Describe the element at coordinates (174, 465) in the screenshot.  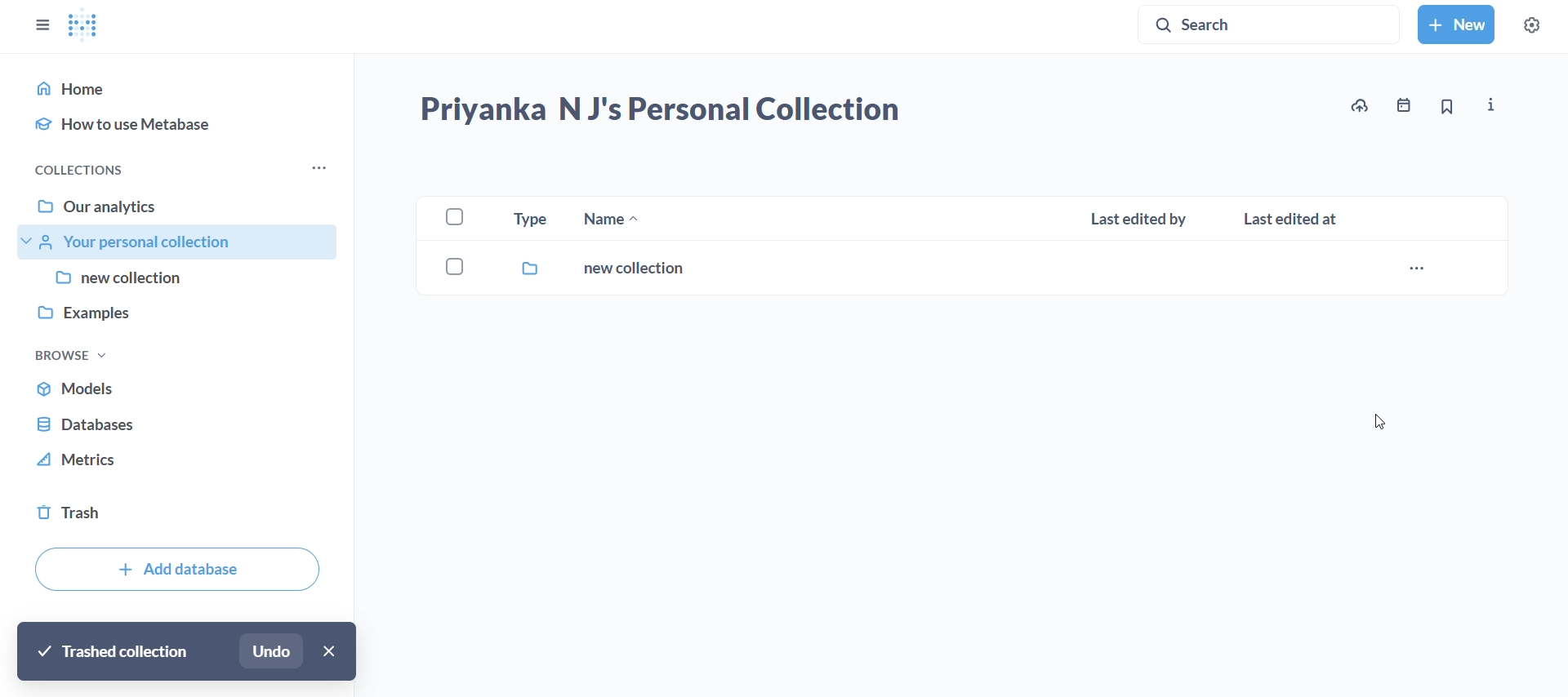
I see `metrics` at that location.